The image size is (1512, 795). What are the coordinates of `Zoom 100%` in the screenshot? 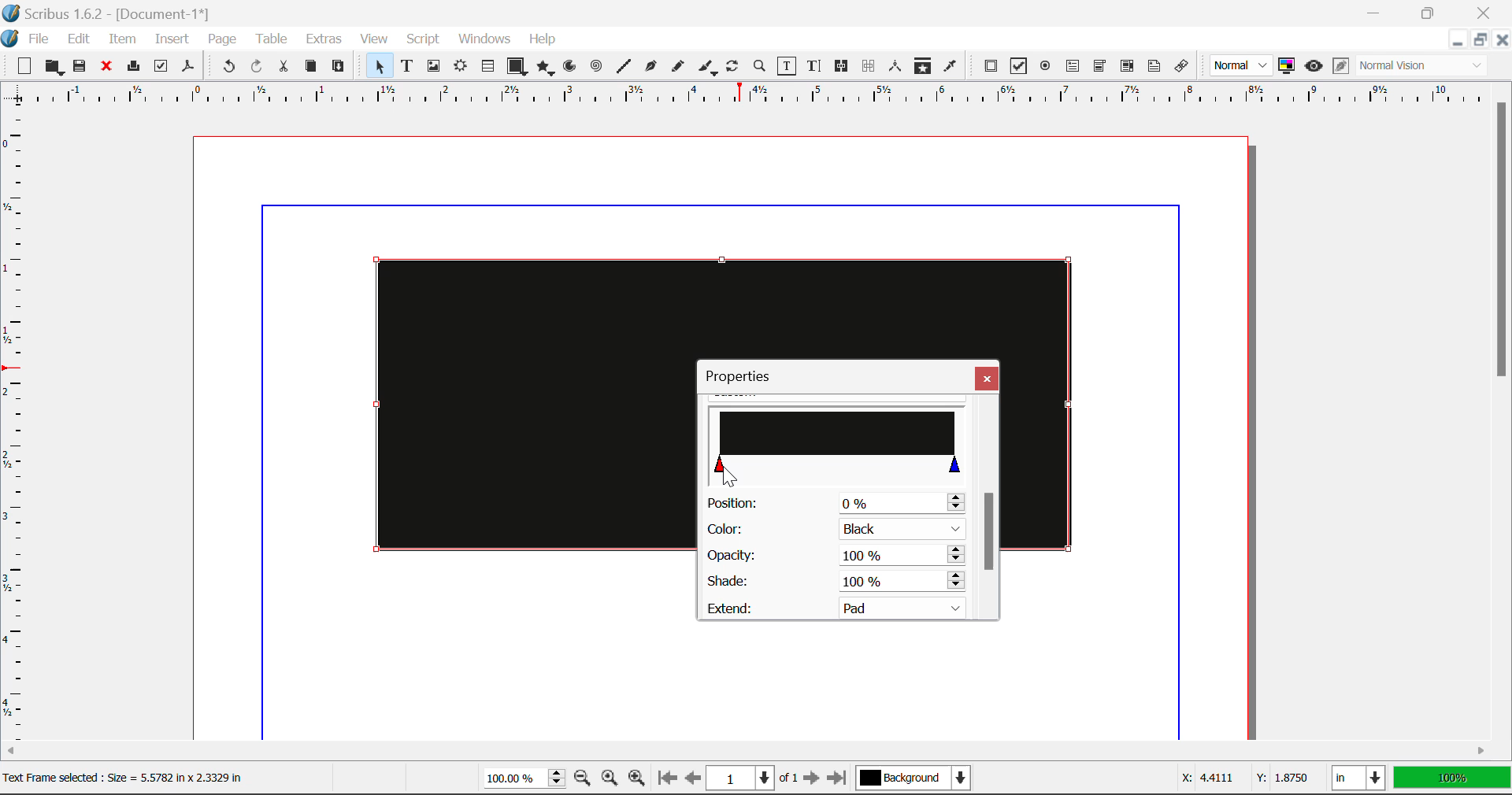 It's located at (524, 780).